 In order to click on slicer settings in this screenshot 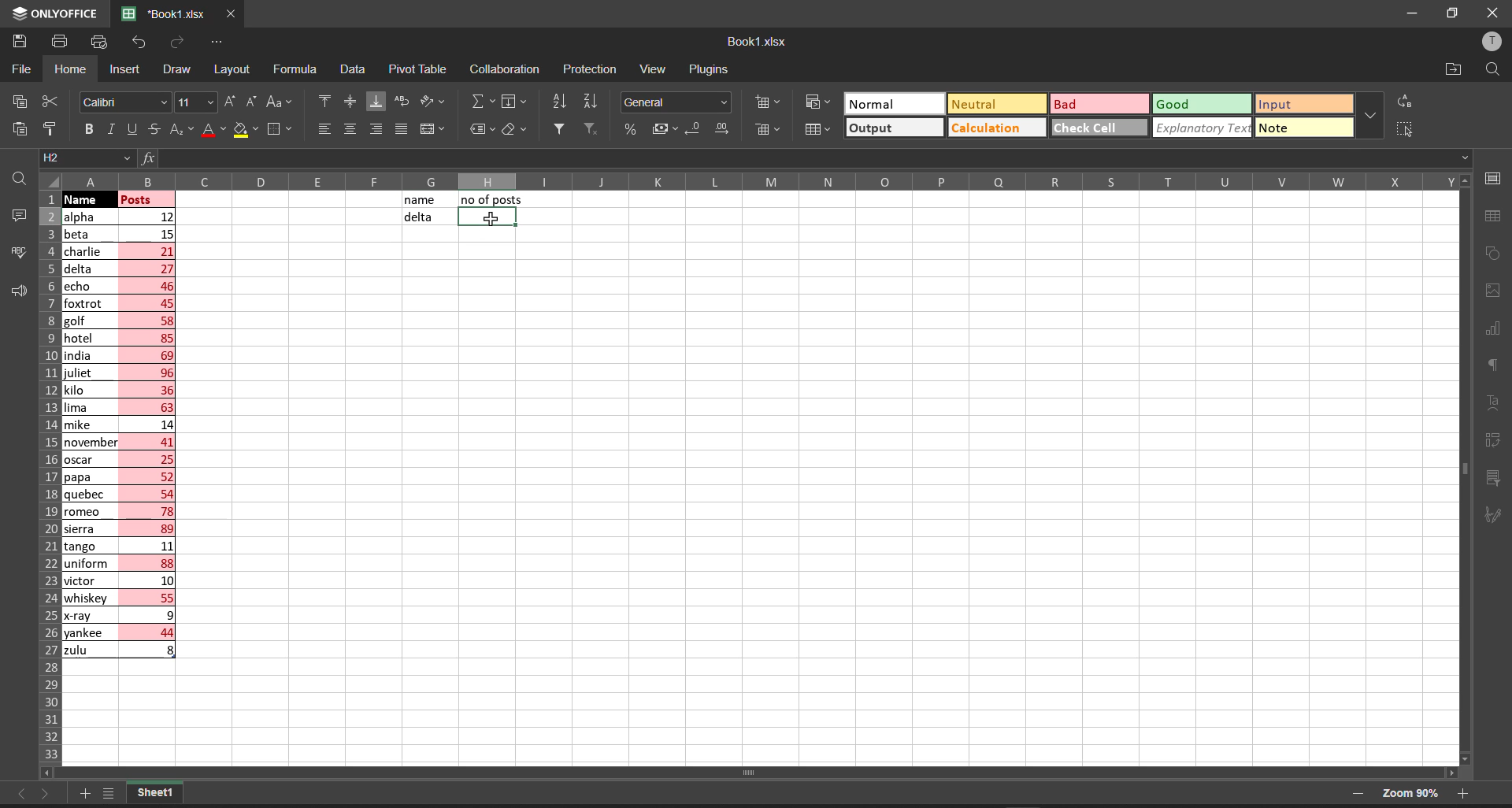, I will do `click(1501, 474)`.